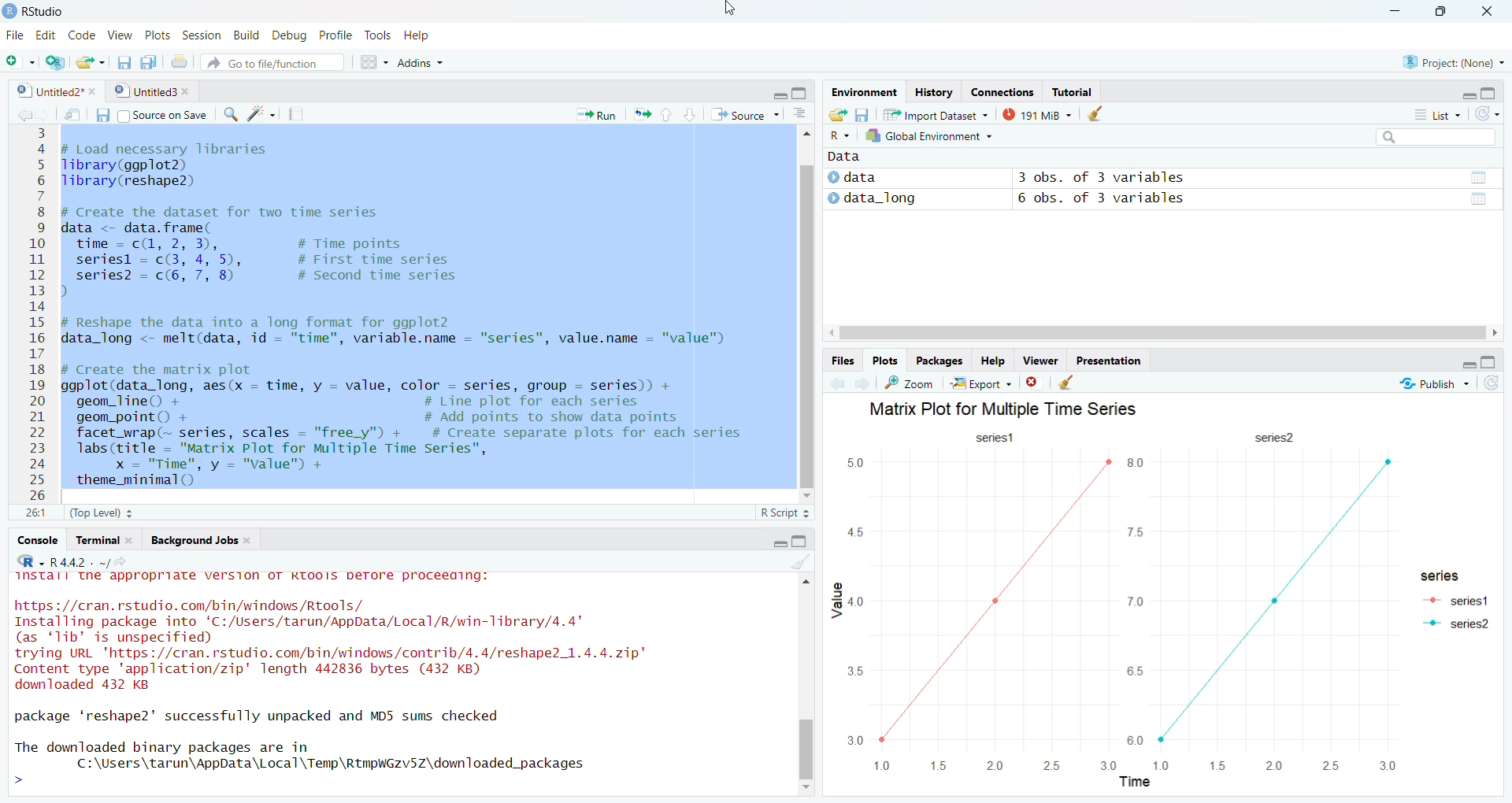 This screenshot has width=1512, height=803. I want to click on Source , so click(747, 114).